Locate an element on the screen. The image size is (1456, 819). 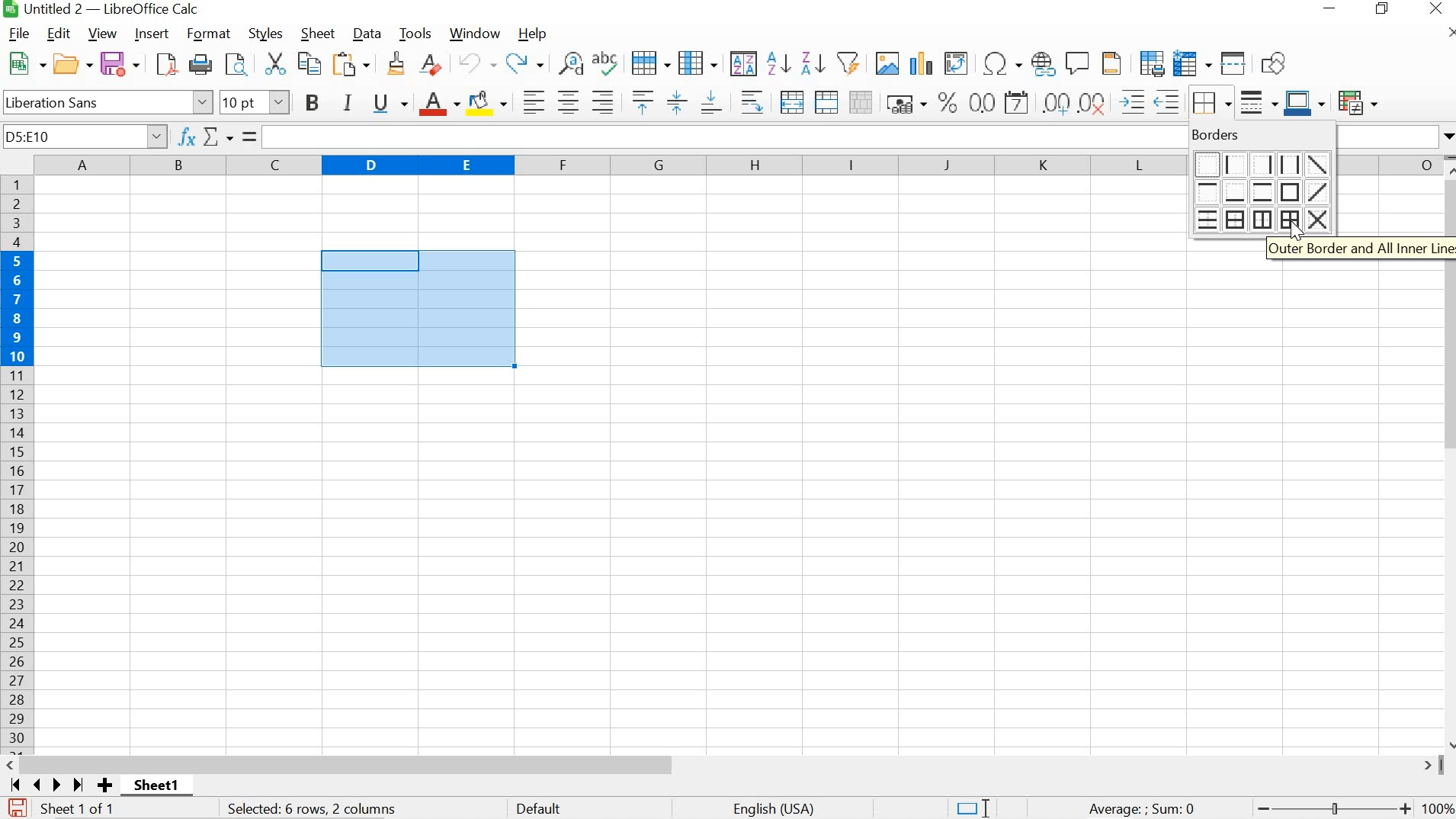
bottom border is located at coordinates (1236, 191).